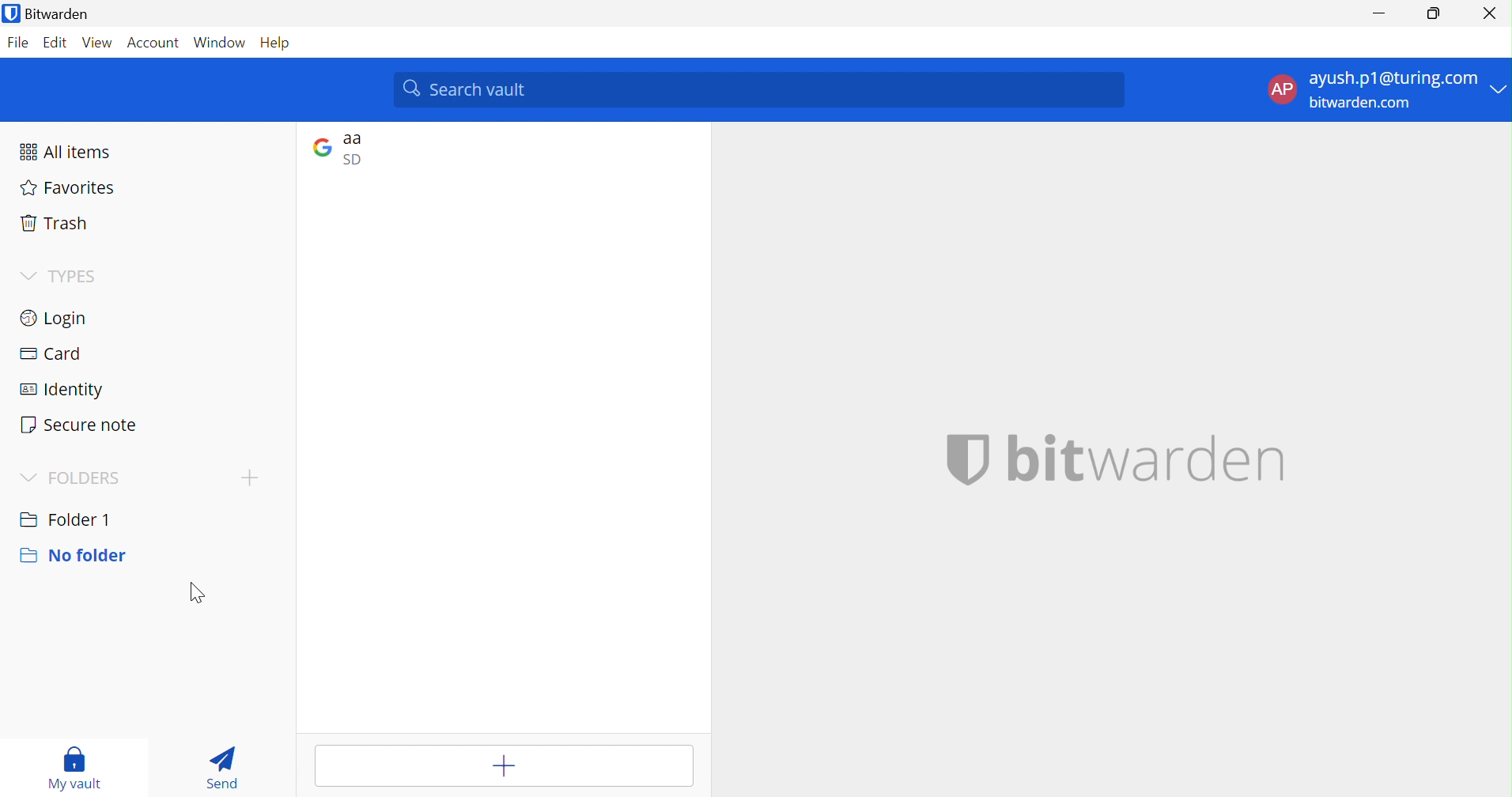  What do you see at coordinates (1432, 13) in the screenshot?
I see `Restore Down` at bounding box center [1432, 13].